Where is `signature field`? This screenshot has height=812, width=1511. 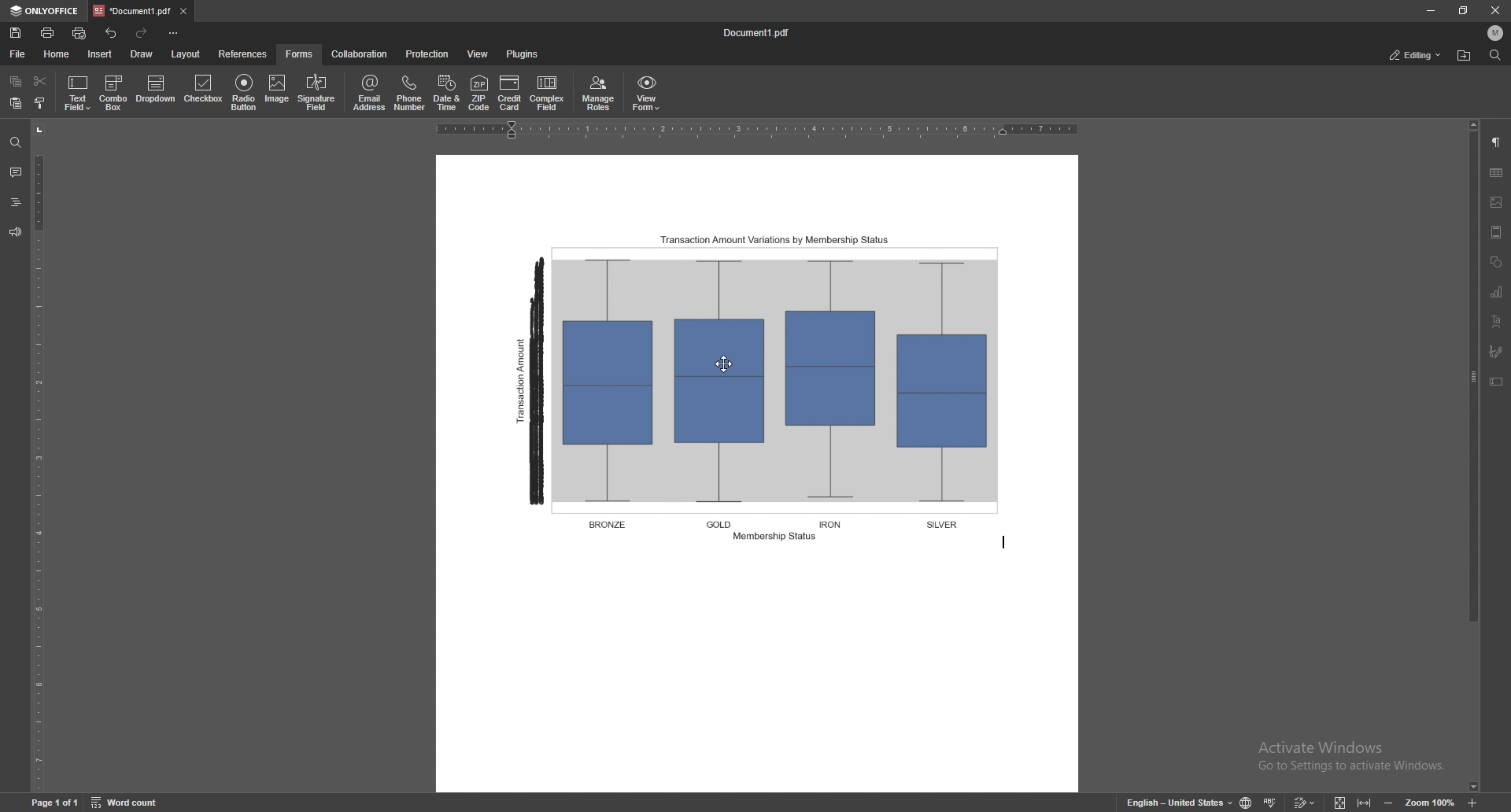 signature field is located at coordinates (317, 93).